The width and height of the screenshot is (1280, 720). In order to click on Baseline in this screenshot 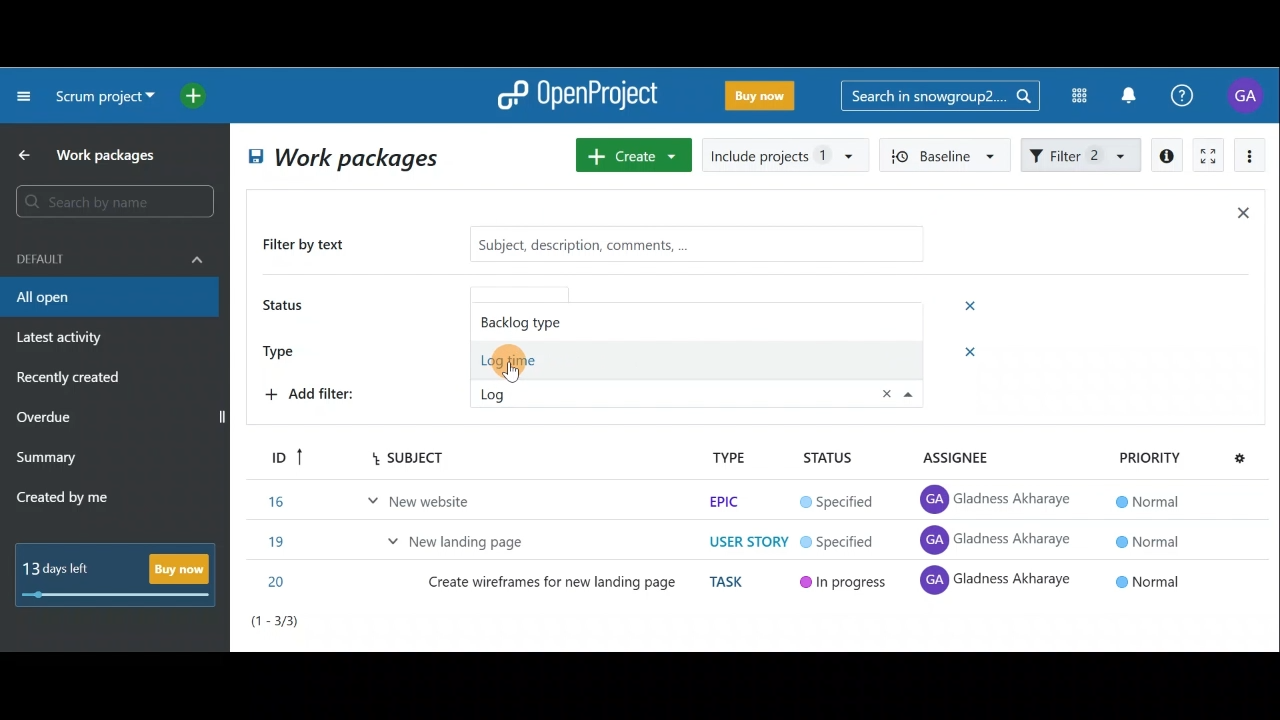, I will do `click(946, 154)`.